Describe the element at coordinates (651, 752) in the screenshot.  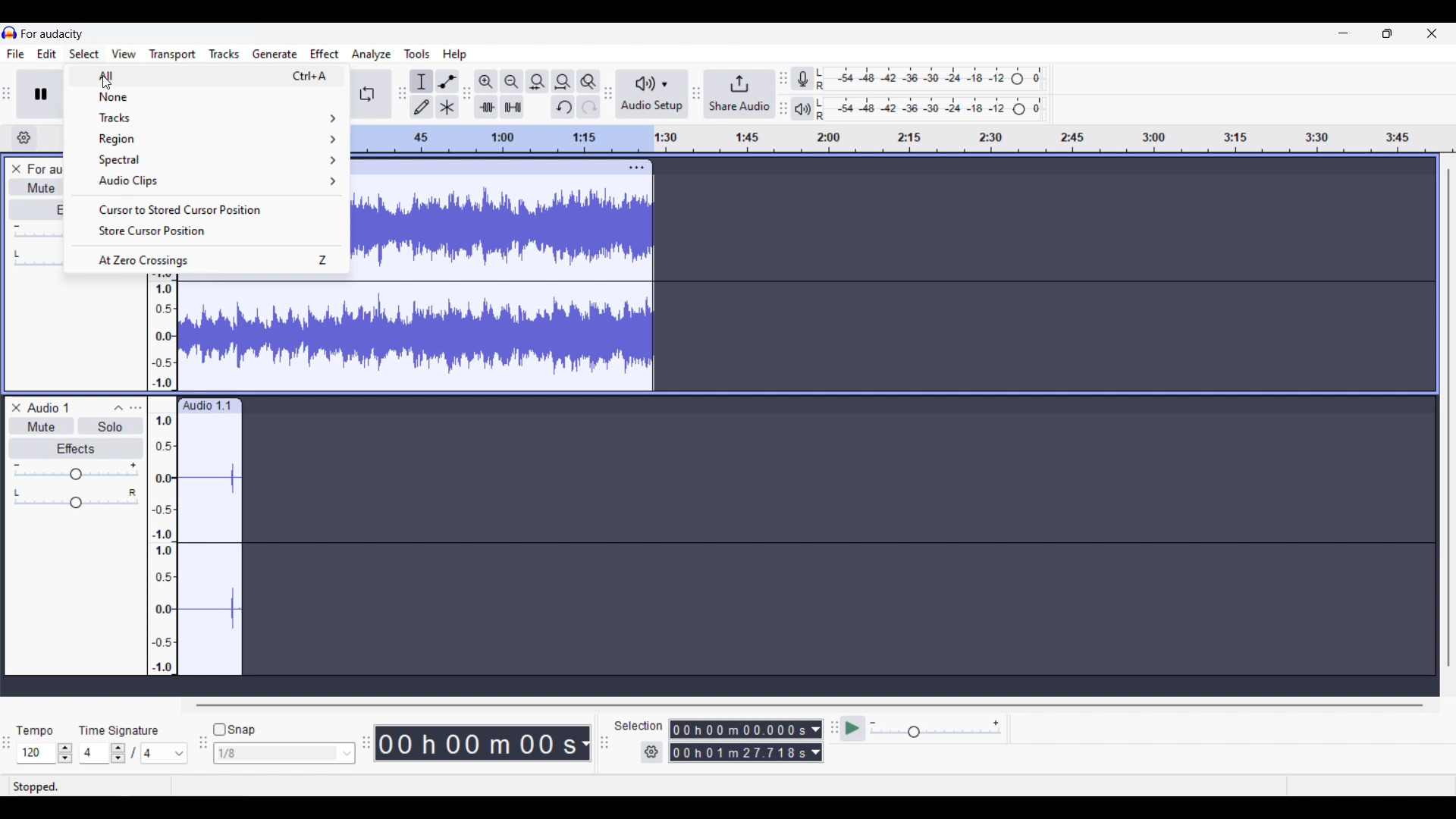
I see `Settings` at that location.